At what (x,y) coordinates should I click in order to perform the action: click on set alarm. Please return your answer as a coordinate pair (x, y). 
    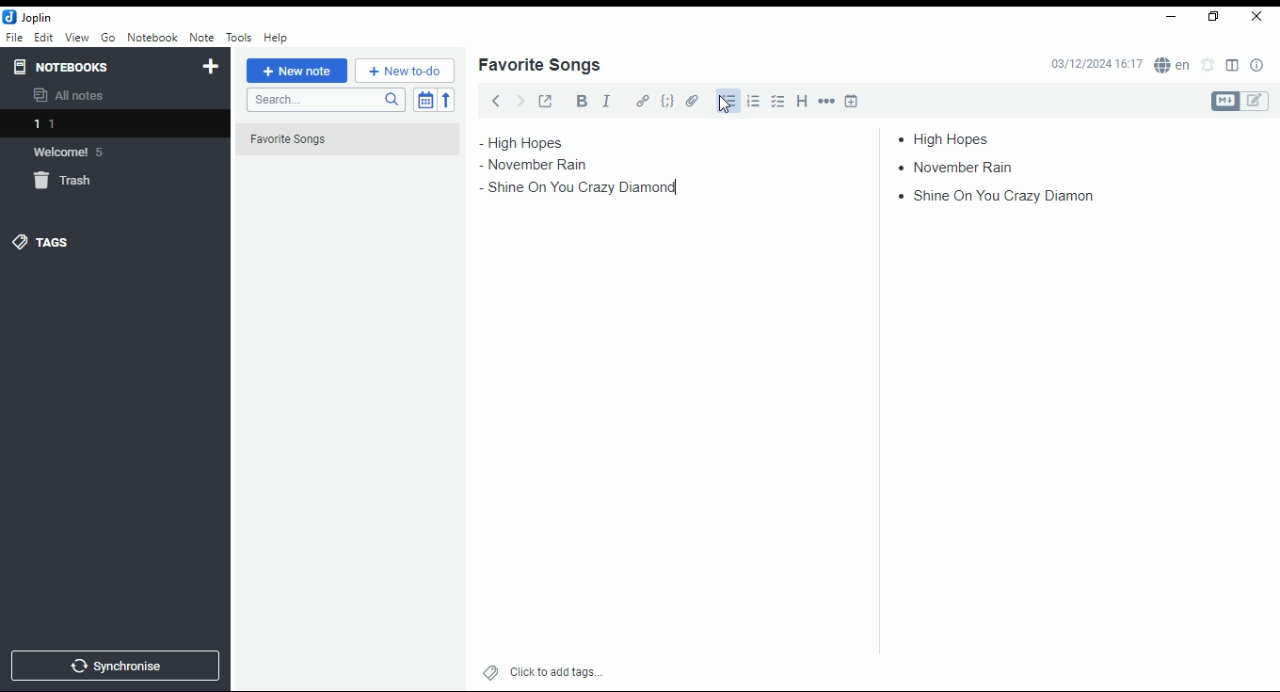
    Looking at the image, I should click on (1209, 65).